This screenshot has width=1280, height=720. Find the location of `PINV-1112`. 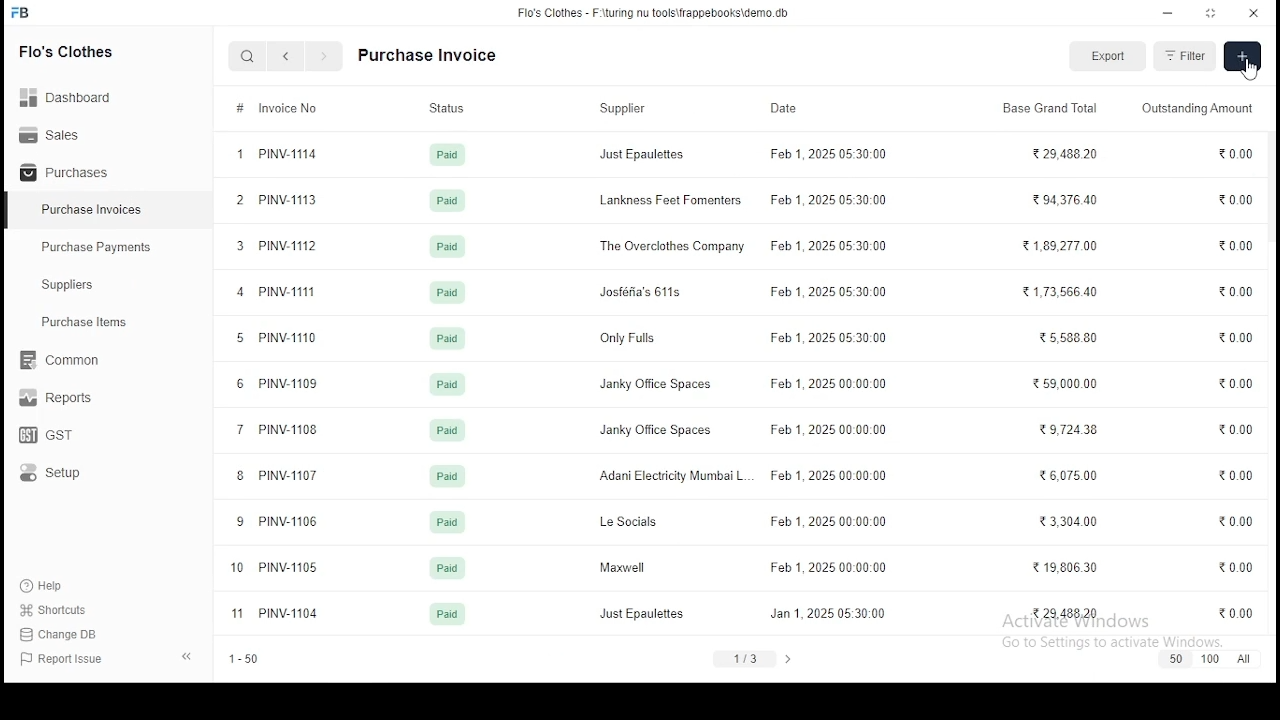

PINV-1112 is located at coordinates (290, 246).